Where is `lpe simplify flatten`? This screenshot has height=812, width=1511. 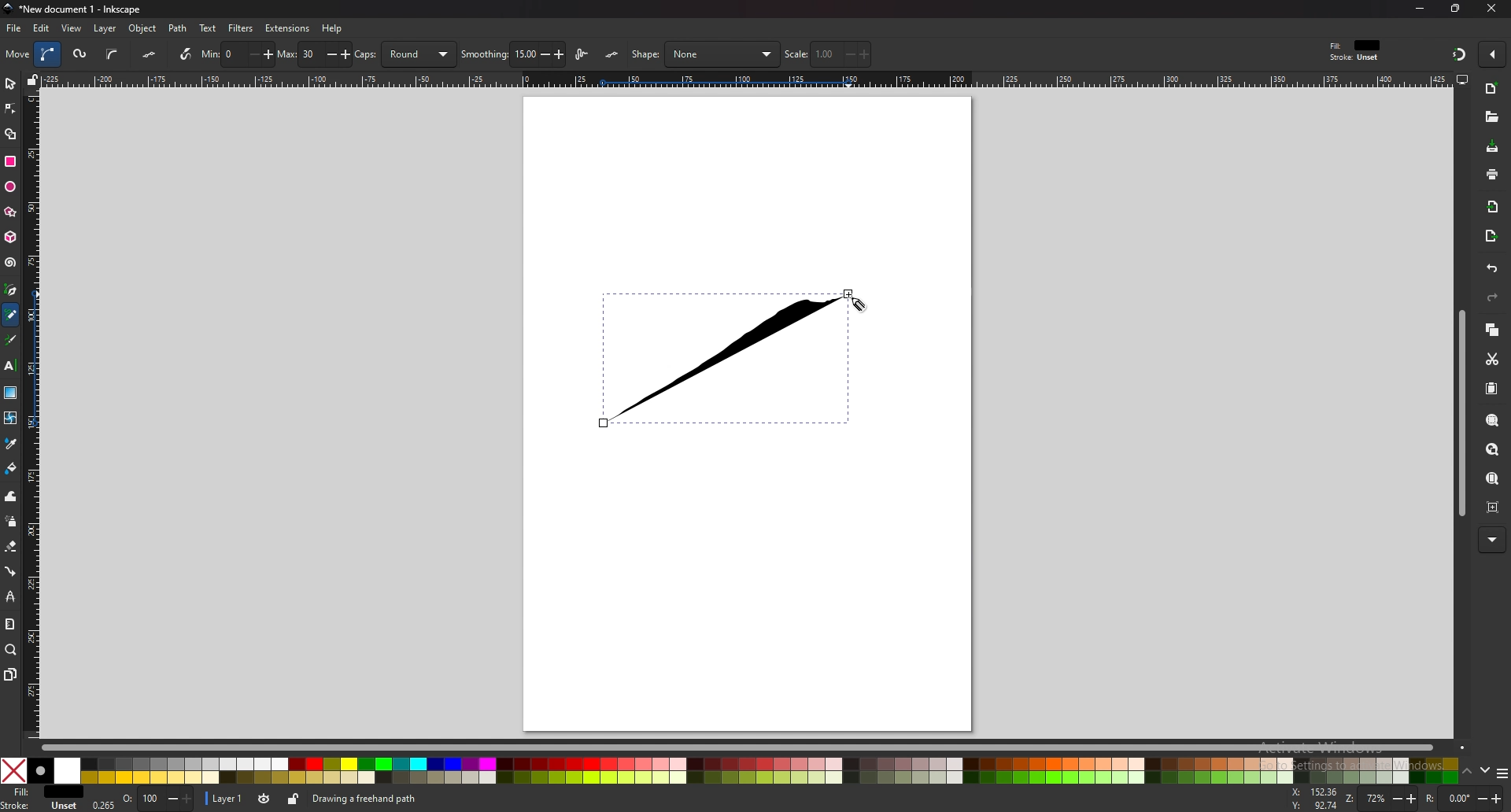 lpe simplify flatten is located at coordinates (611, 55).